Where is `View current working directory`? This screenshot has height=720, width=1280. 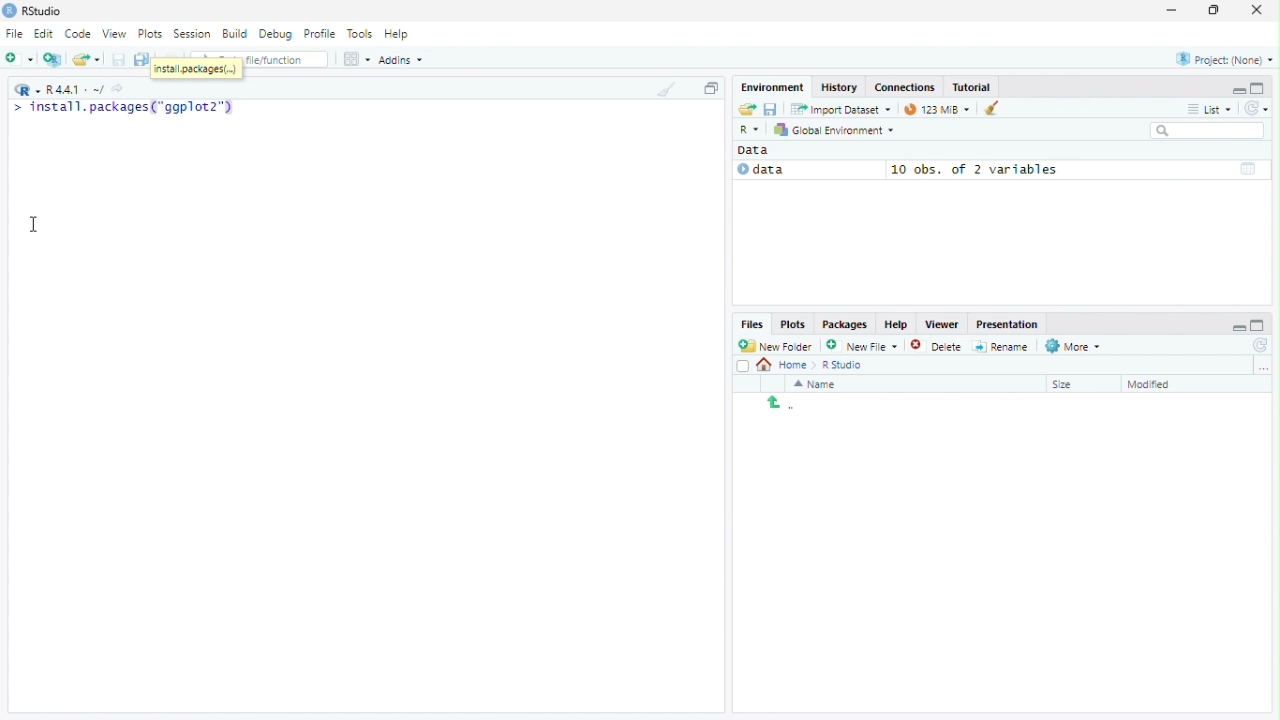
View current working directory is located at coordinates (120, 88).